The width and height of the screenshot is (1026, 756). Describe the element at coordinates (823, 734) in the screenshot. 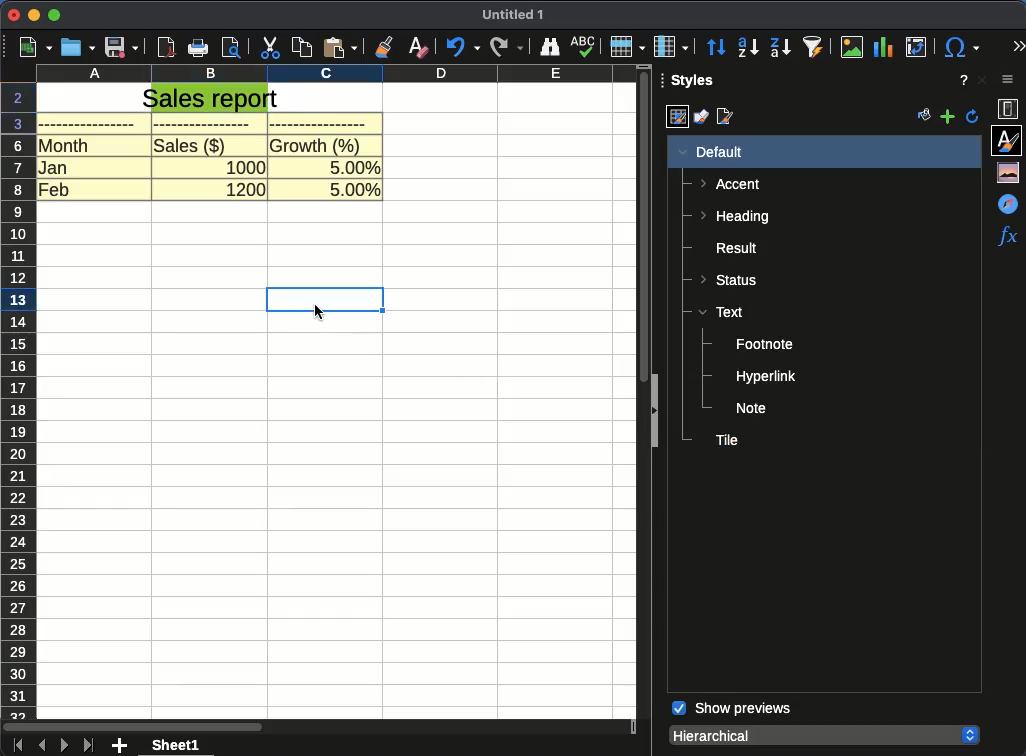

I see `hierarchical ` at that location.